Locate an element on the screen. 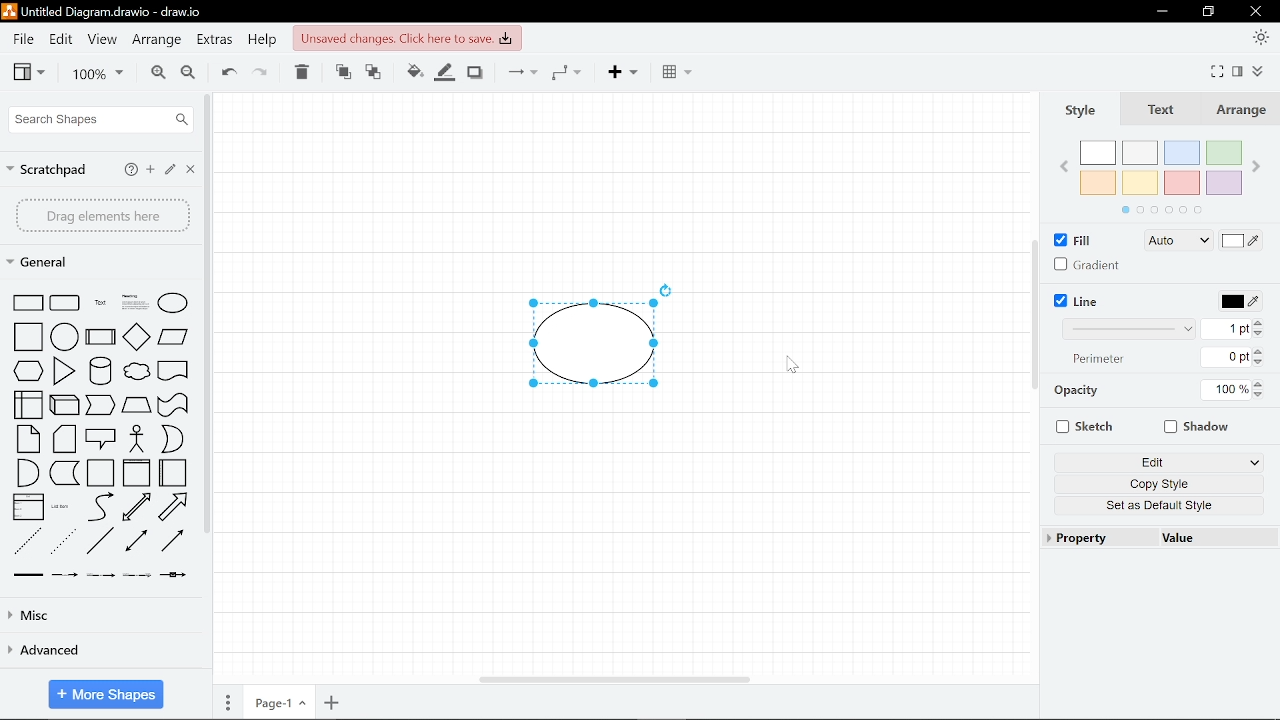 This screenshot has width=1280, height=720. Current page is located at coordinates (280, 702).